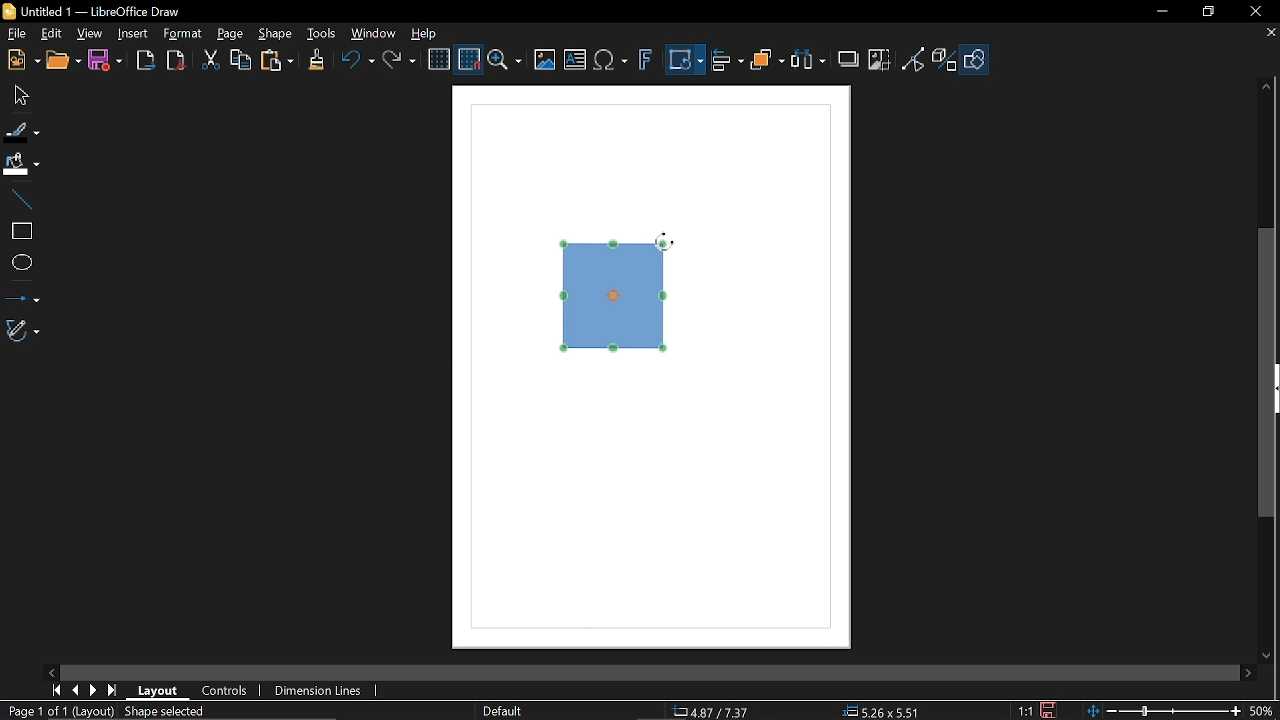 The image size is (1280, 720). What do you see at coordinates (19, 232) in the screenshot?
I see `rectangle` at bounding box center [19, 232].